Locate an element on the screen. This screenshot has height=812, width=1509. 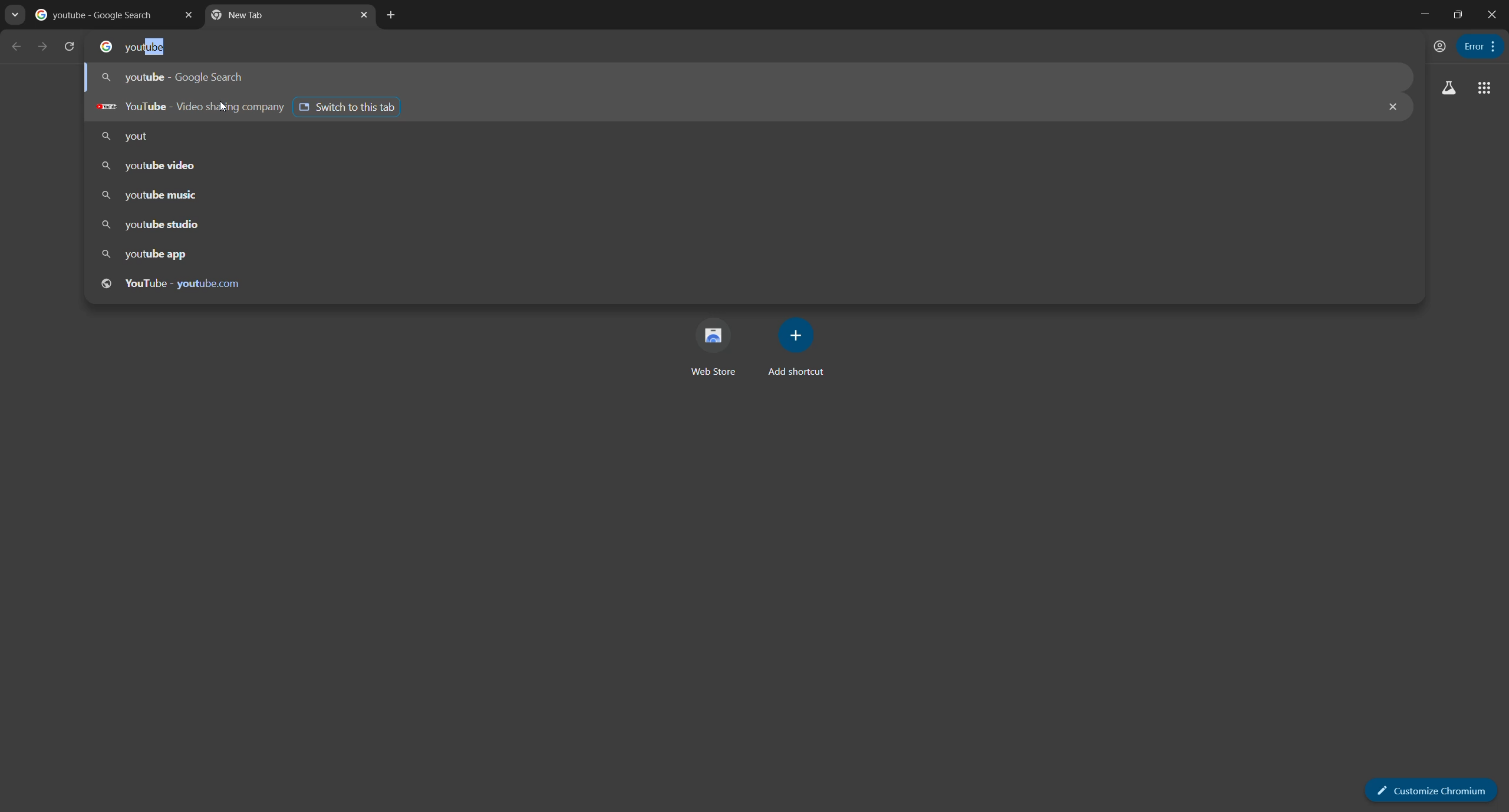
new tab is located at coordinates (275, 18).